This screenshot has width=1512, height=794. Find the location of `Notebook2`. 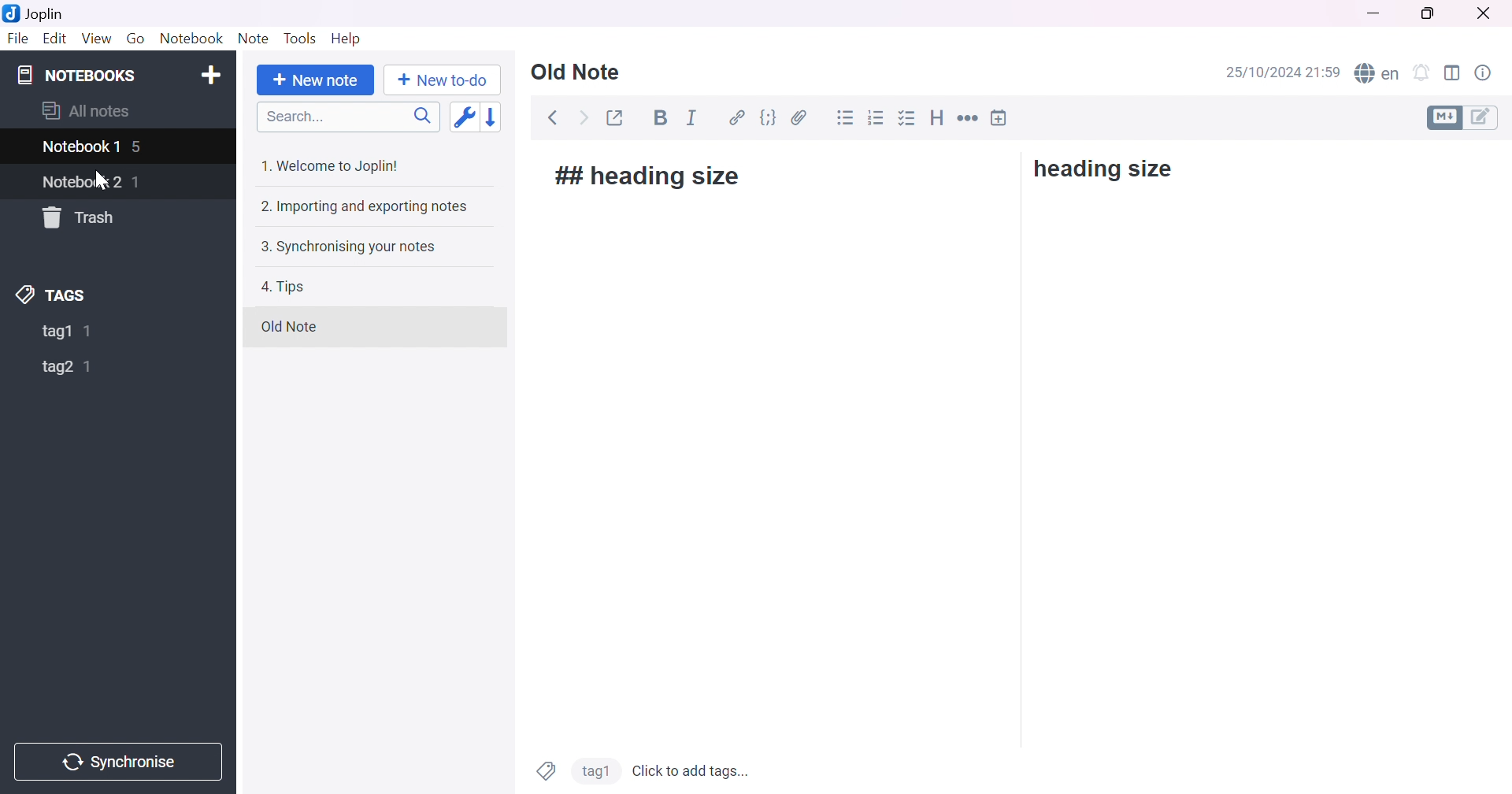

Notebook2 is located at coordinates (83, 181).